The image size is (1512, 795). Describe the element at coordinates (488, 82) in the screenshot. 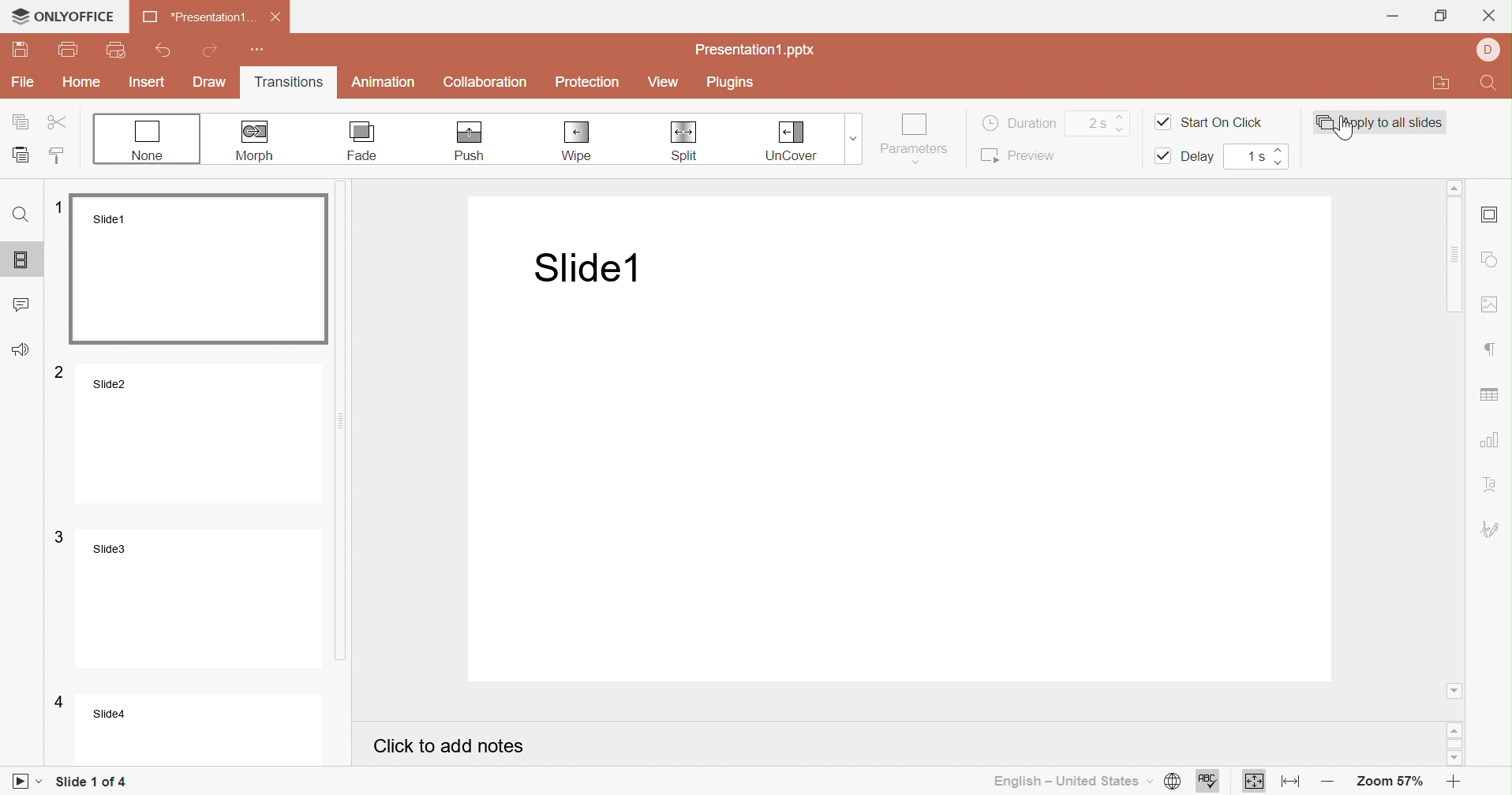

I see `Collaboration` at that location.